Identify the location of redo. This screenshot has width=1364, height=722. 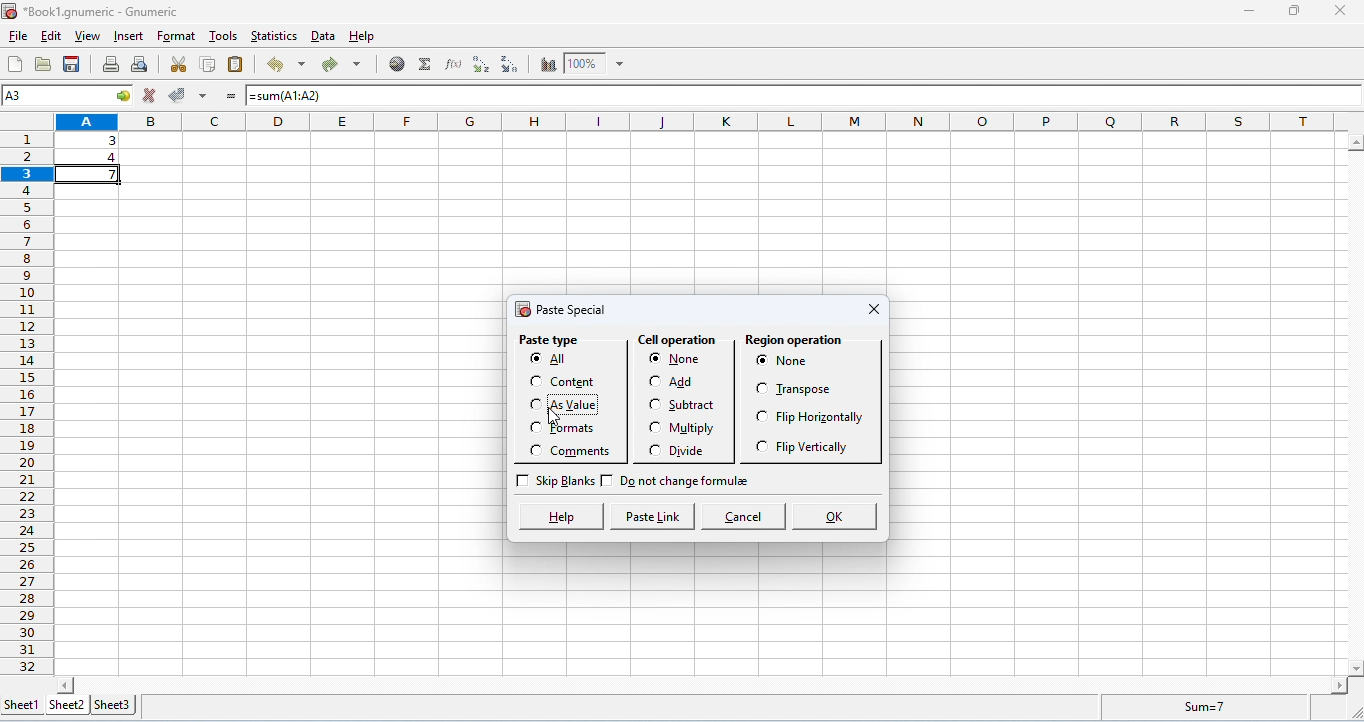
(338, 65).